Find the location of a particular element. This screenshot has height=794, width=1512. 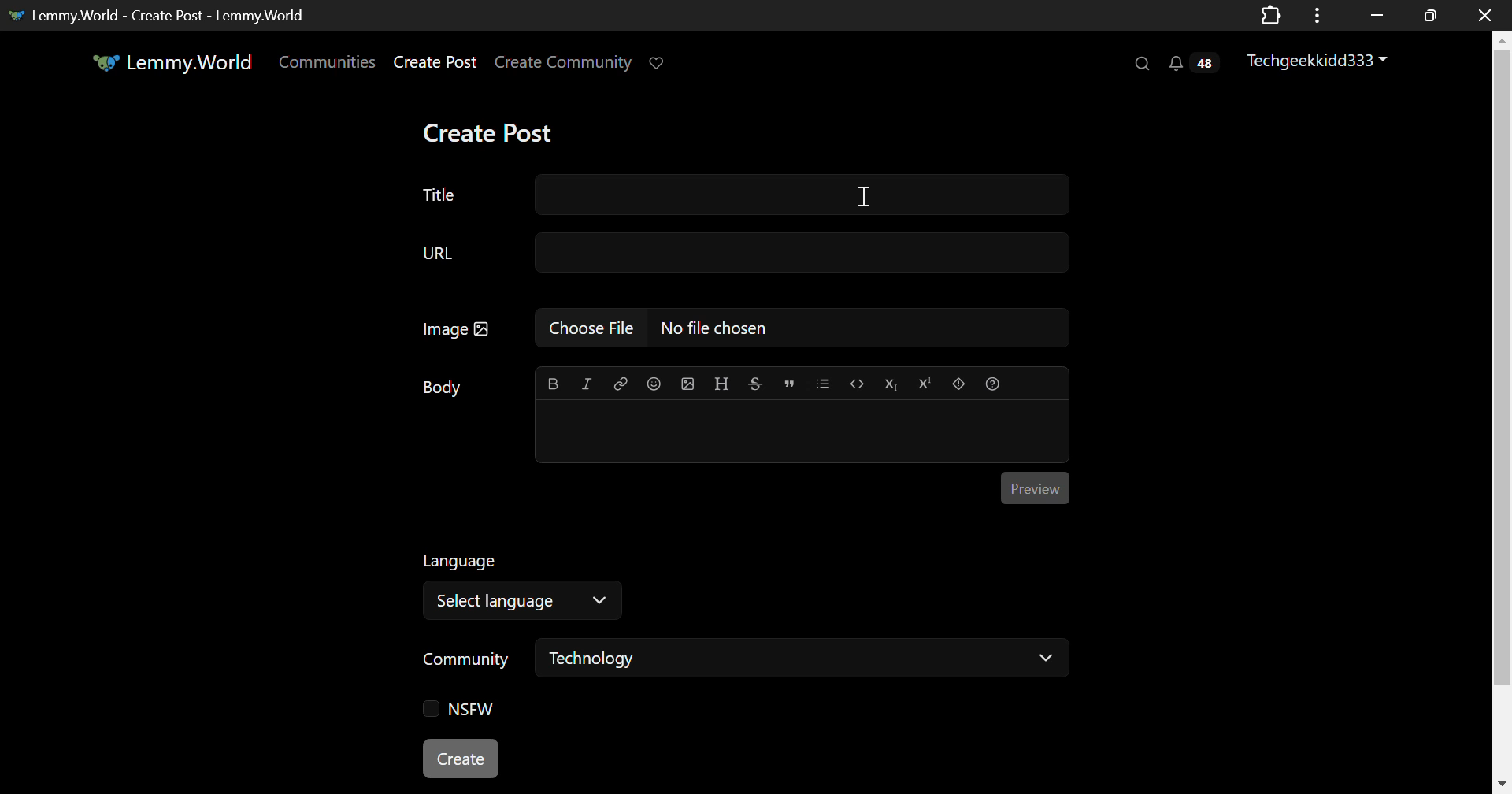

Restore Down is located at coordinates (1377, 15).